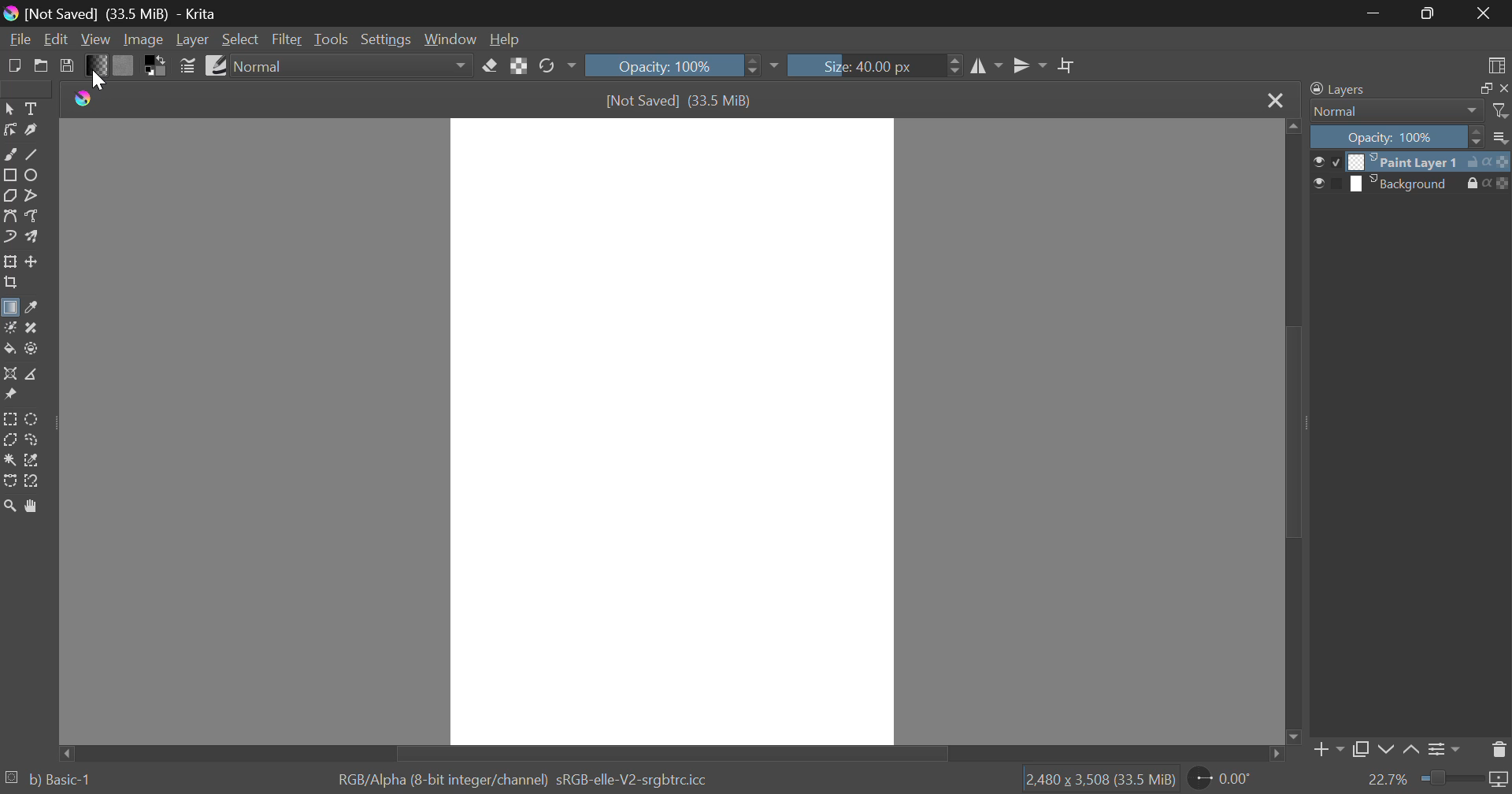 The image size is (1512, 794). Describe the element at coordinates (142, 39) in the screenshot. I see `Image` at that location.